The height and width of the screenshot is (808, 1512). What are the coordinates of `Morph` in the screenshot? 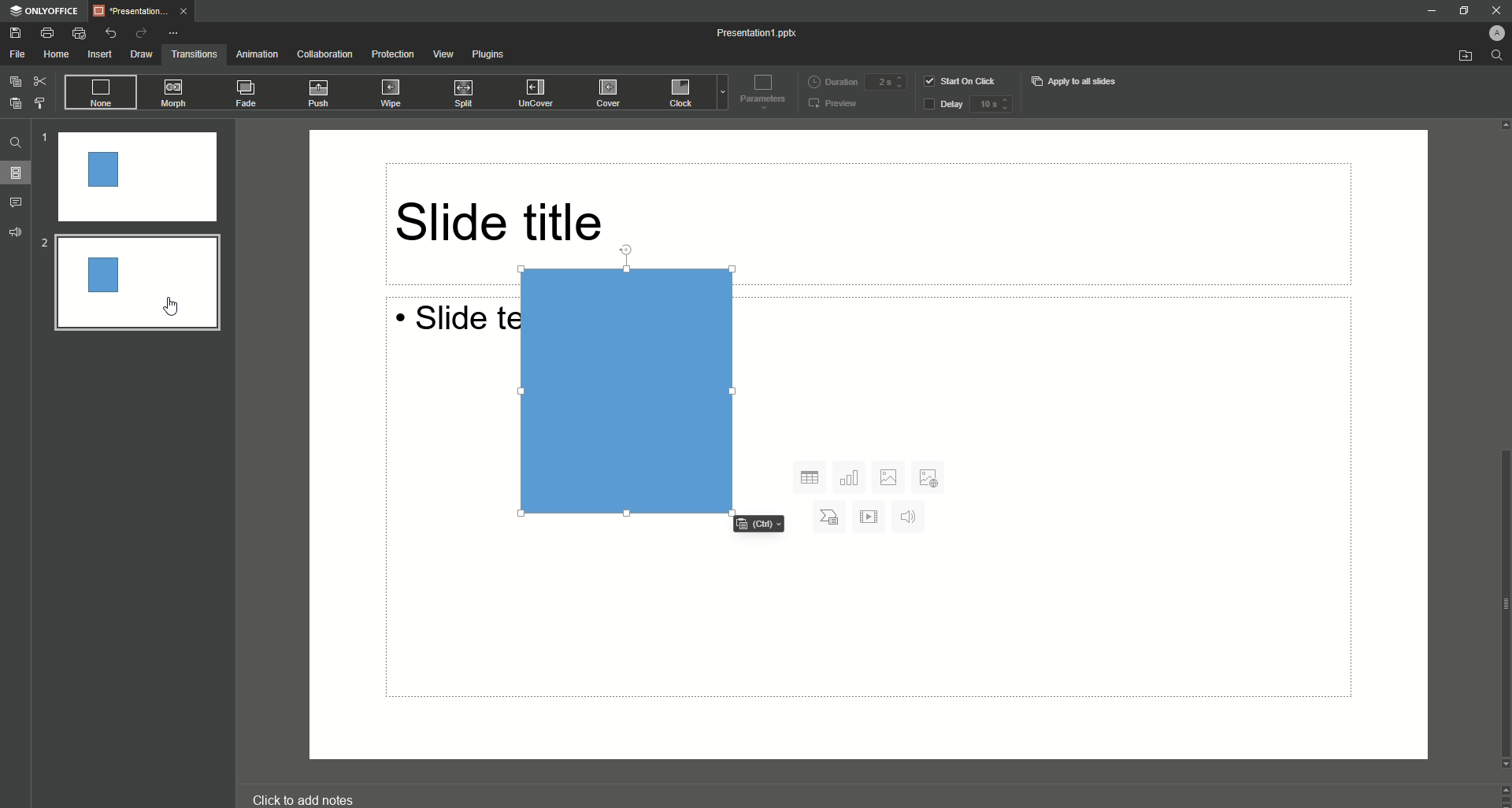 It's located at (179, 94).